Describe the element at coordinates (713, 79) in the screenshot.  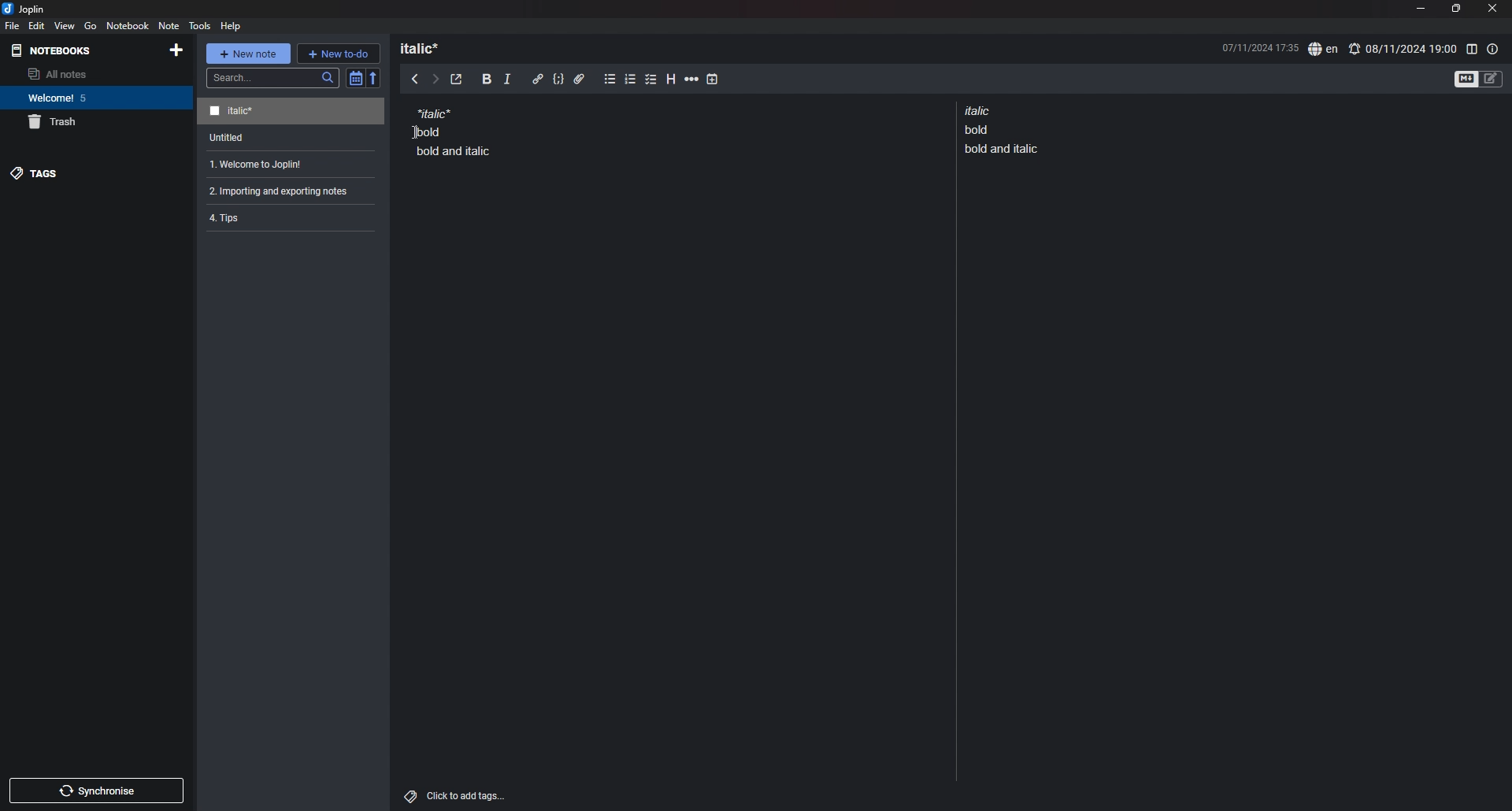
I see `add time` at that location.